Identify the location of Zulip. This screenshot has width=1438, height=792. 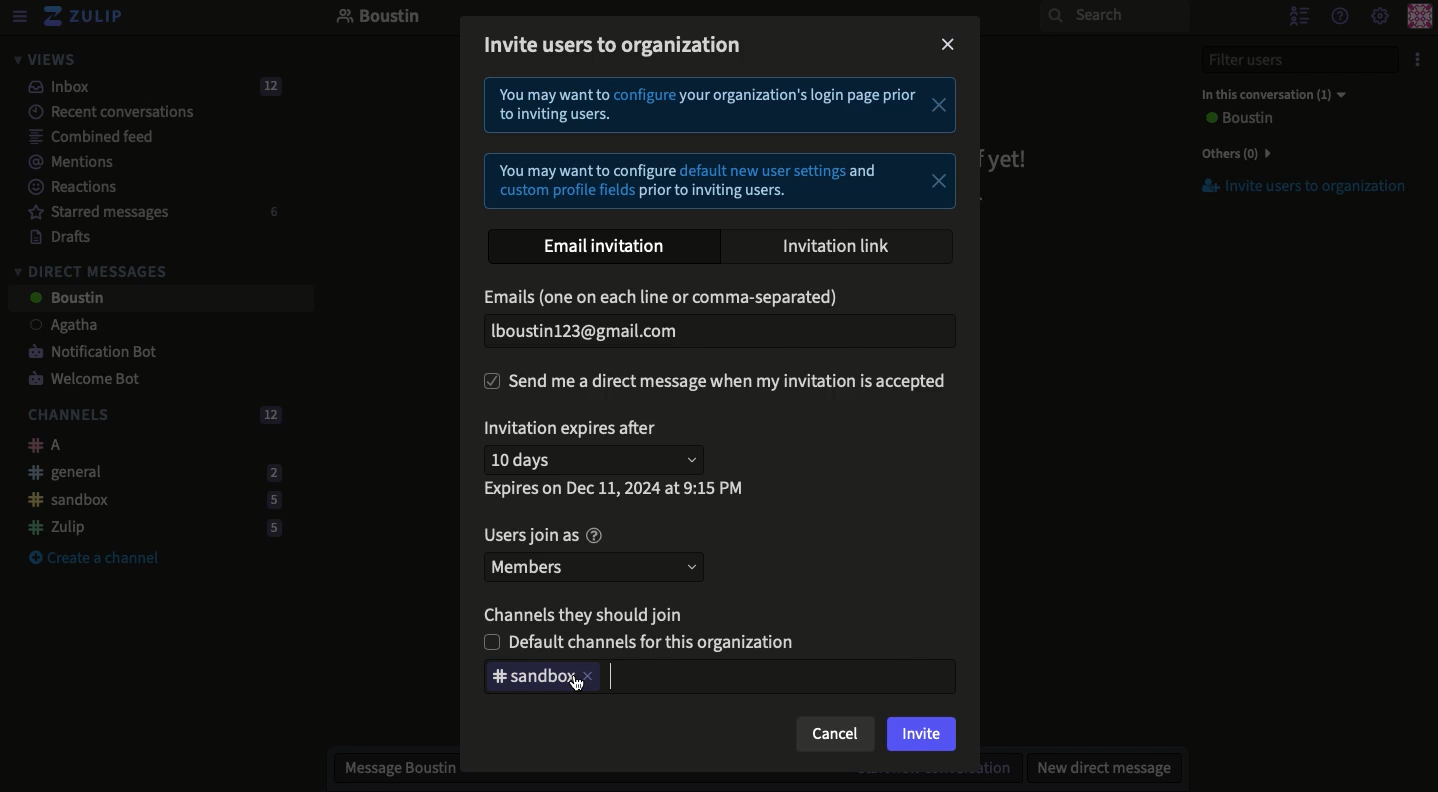
(85, 17).